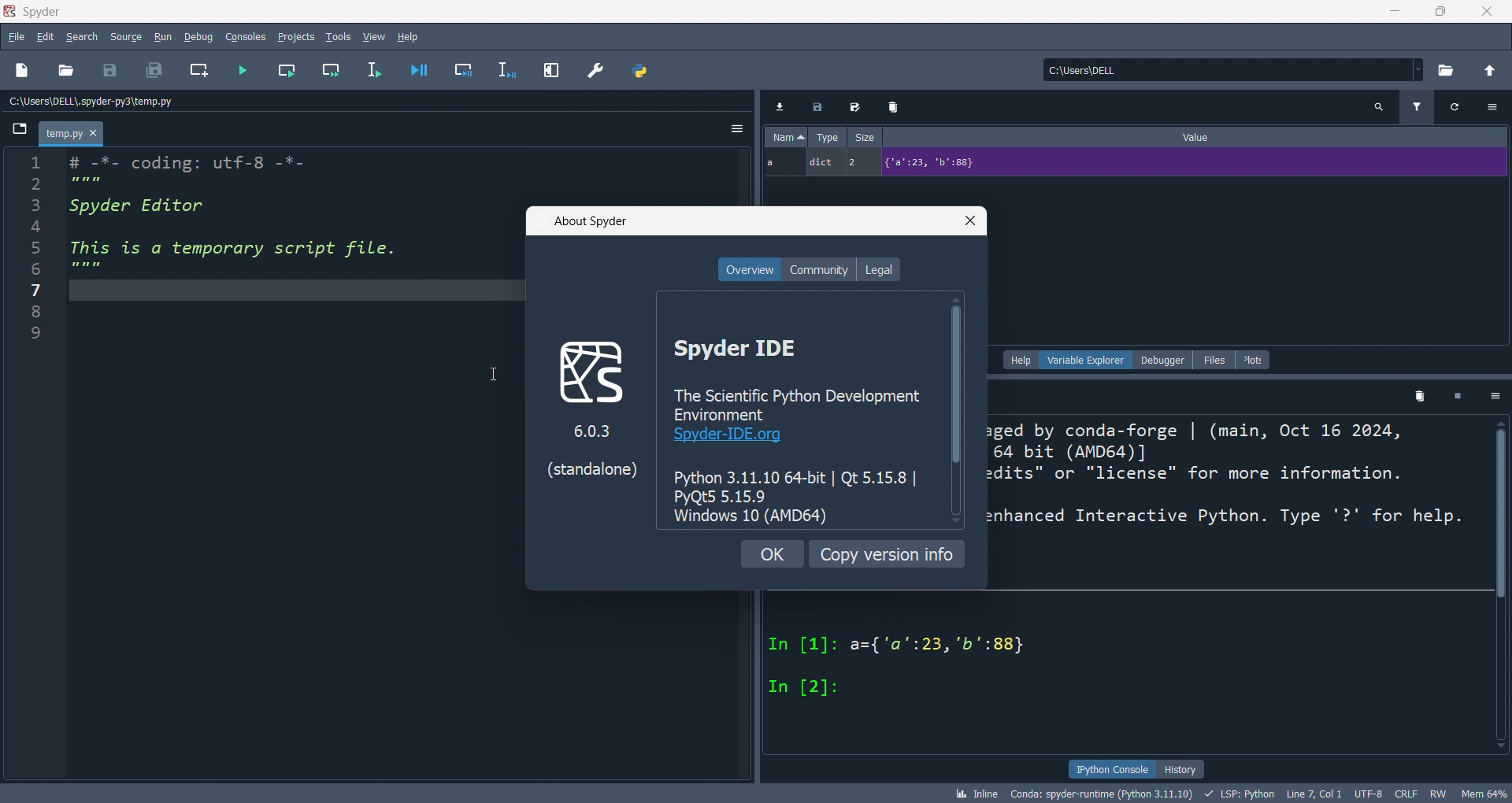 This screenshot has width=1512, height=803. What do you see at coordinates (1255, 360) in the screenshot?
I see `plots` at bounding box center [1255, 360].